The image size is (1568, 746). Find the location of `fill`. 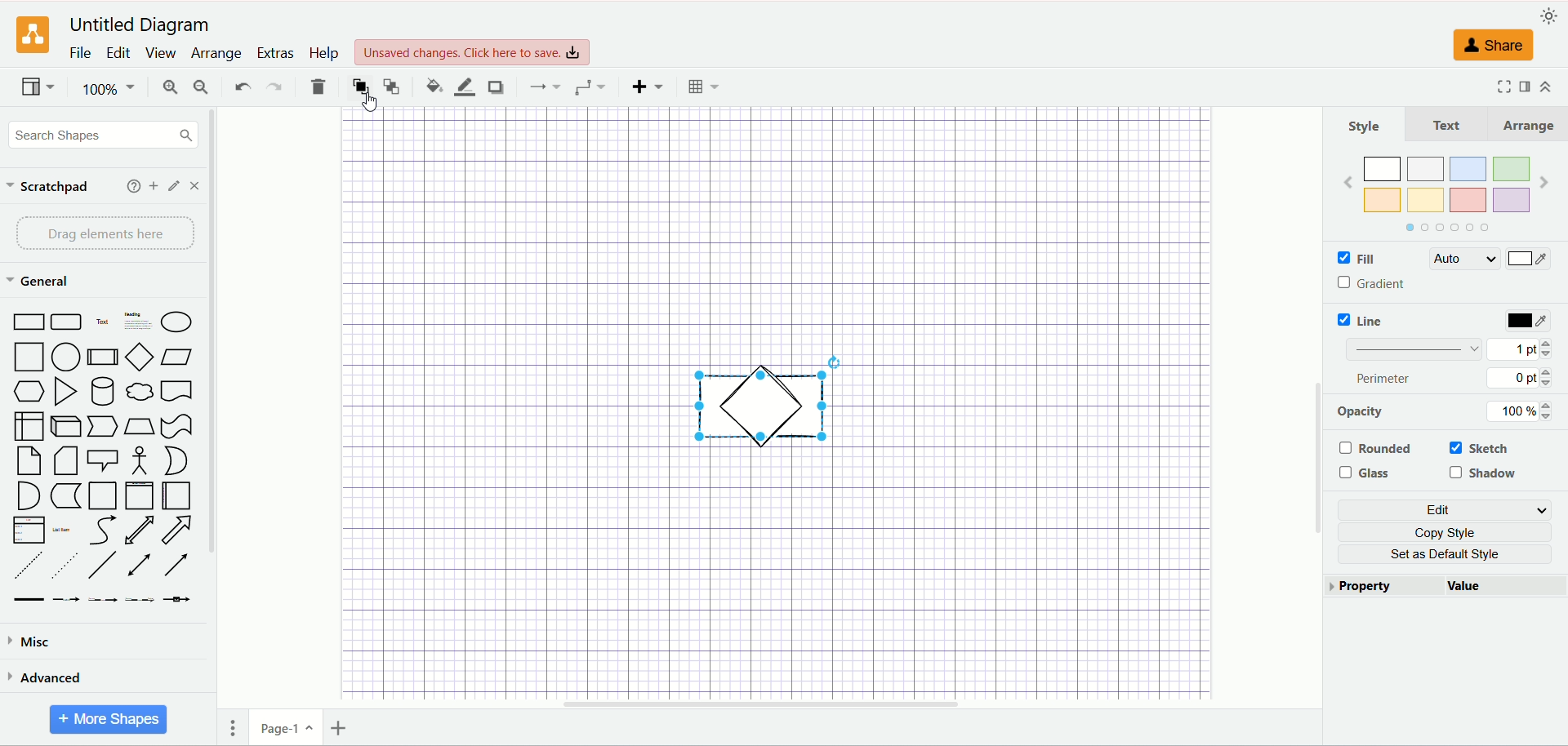

fill is located at coordinates (1349, 258).